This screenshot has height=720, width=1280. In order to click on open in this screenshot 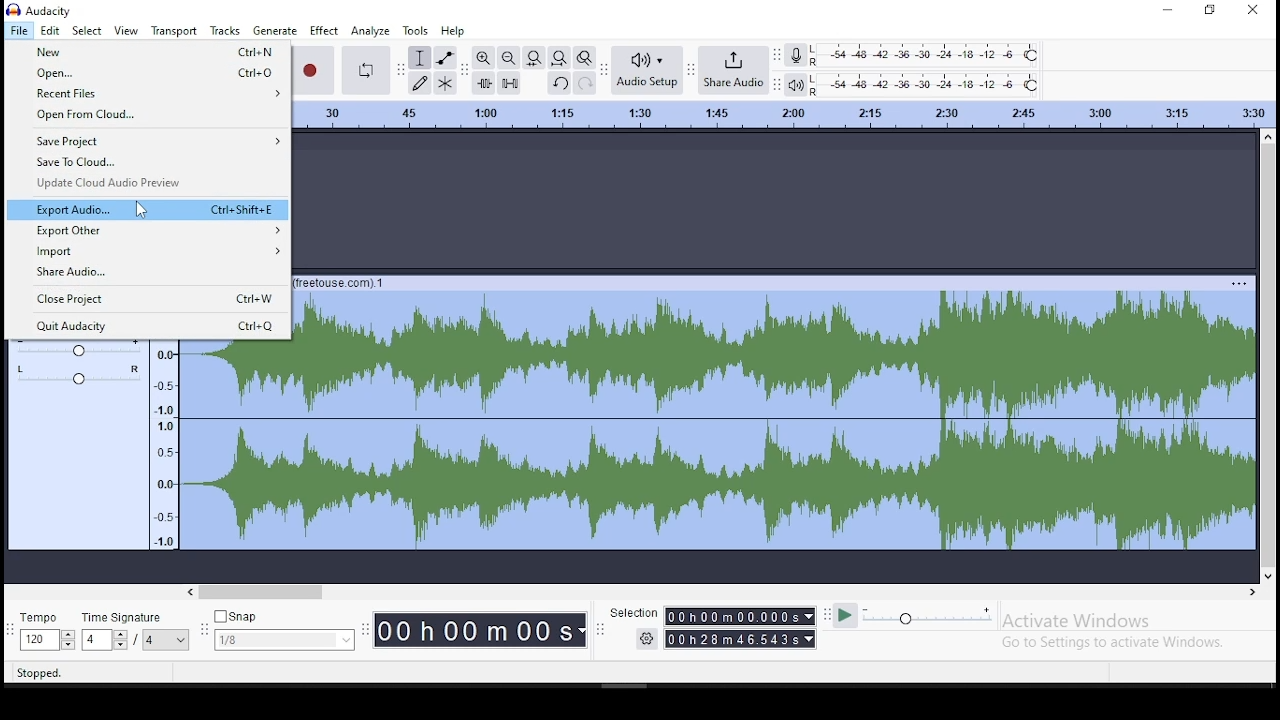, I will do `click(150, 72)`.